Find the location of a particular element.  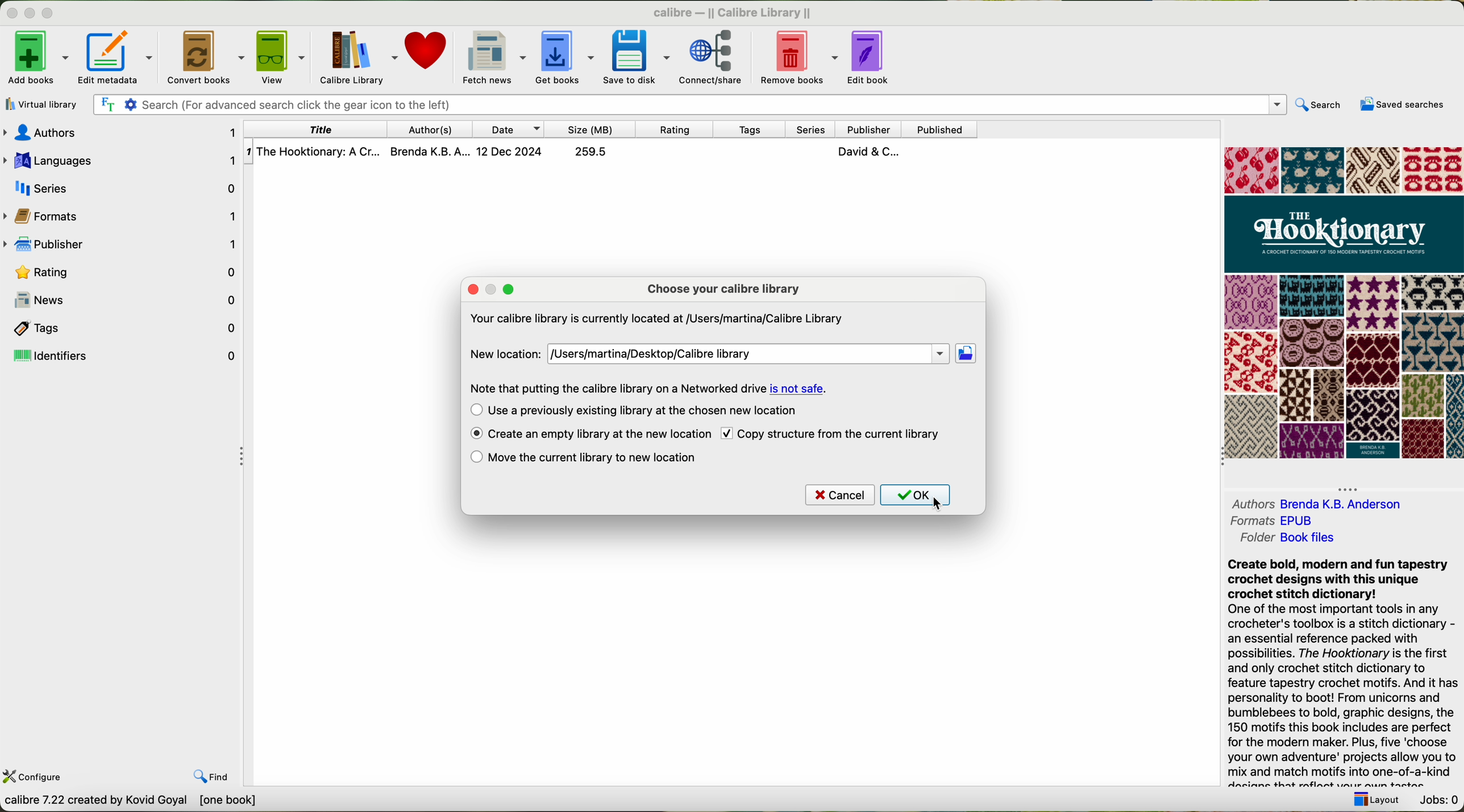

title is located at coordinates (320, 130).